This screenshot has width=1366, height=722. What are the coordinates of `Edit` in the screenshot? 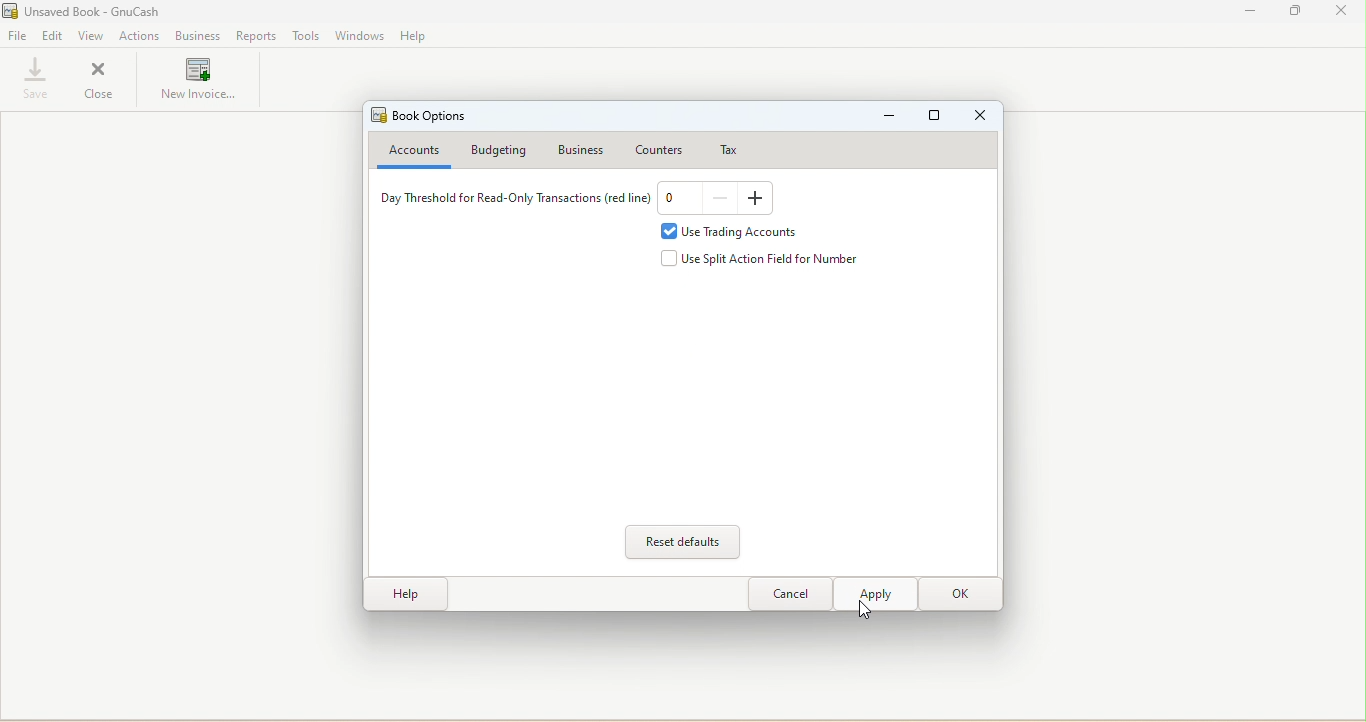 It's located at (53, 38).